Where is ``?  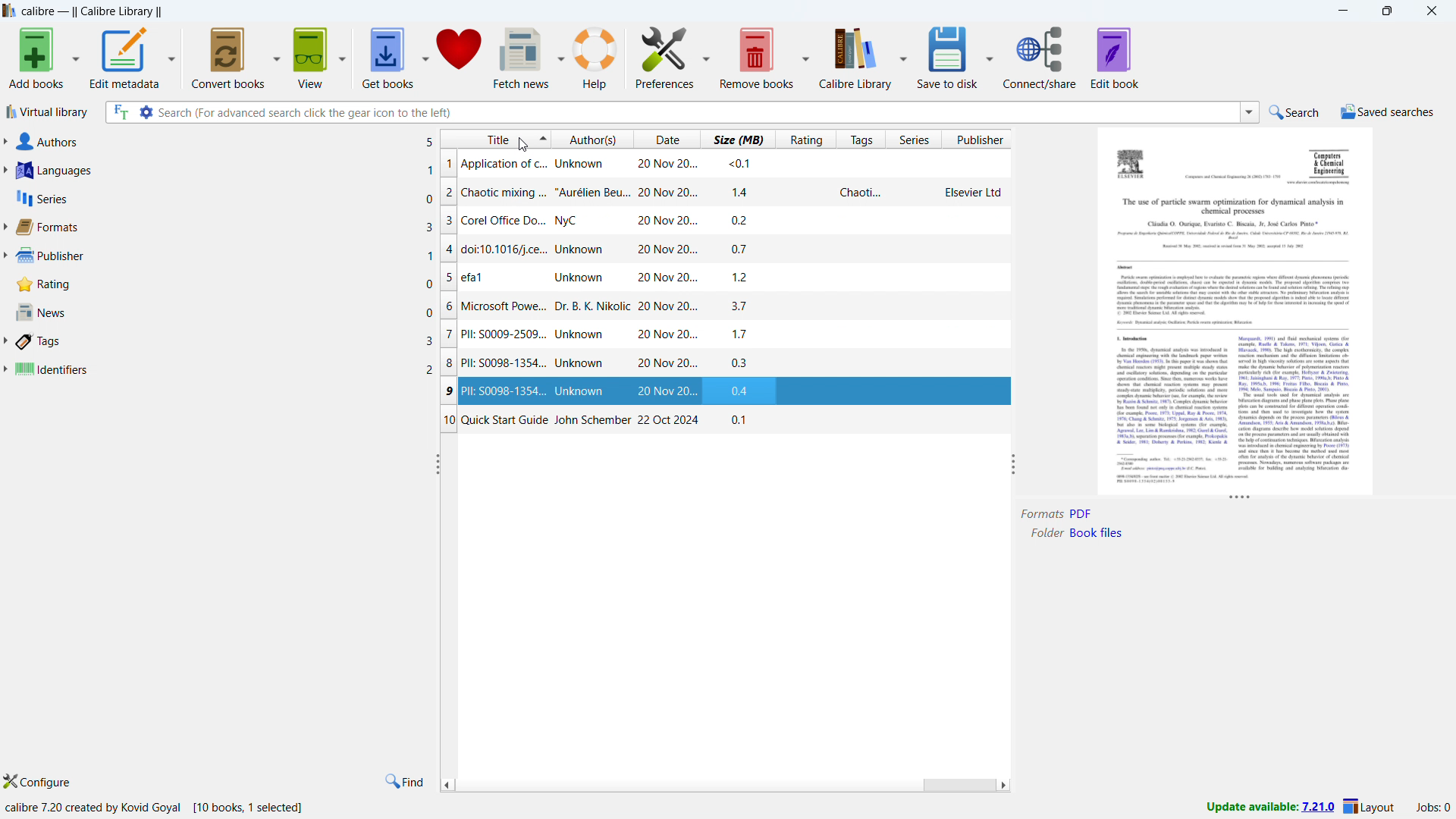
 is located at coordinates (1331, 162).